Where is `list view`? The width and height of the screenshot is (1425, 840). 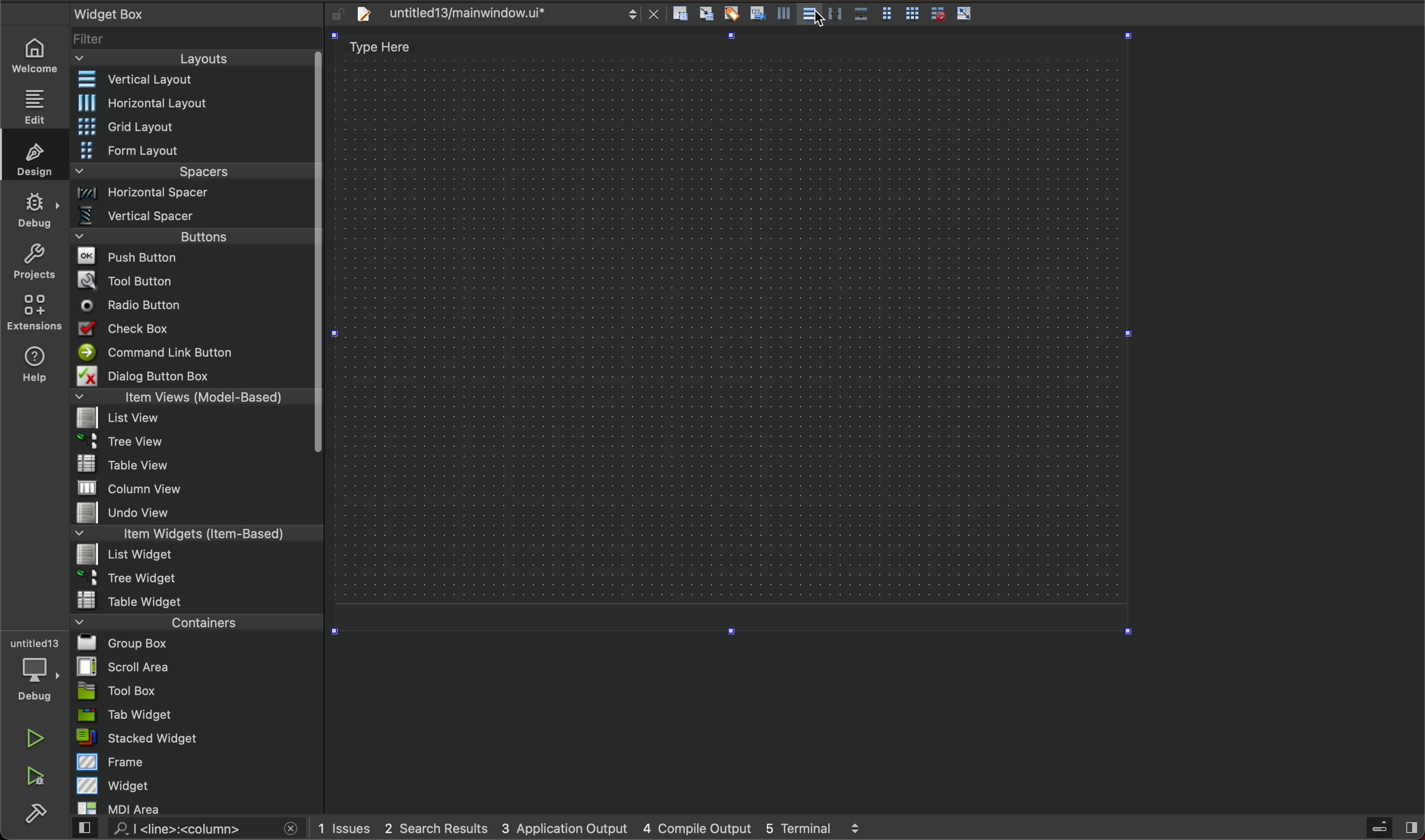
list view is located at coordinates (191, 419).